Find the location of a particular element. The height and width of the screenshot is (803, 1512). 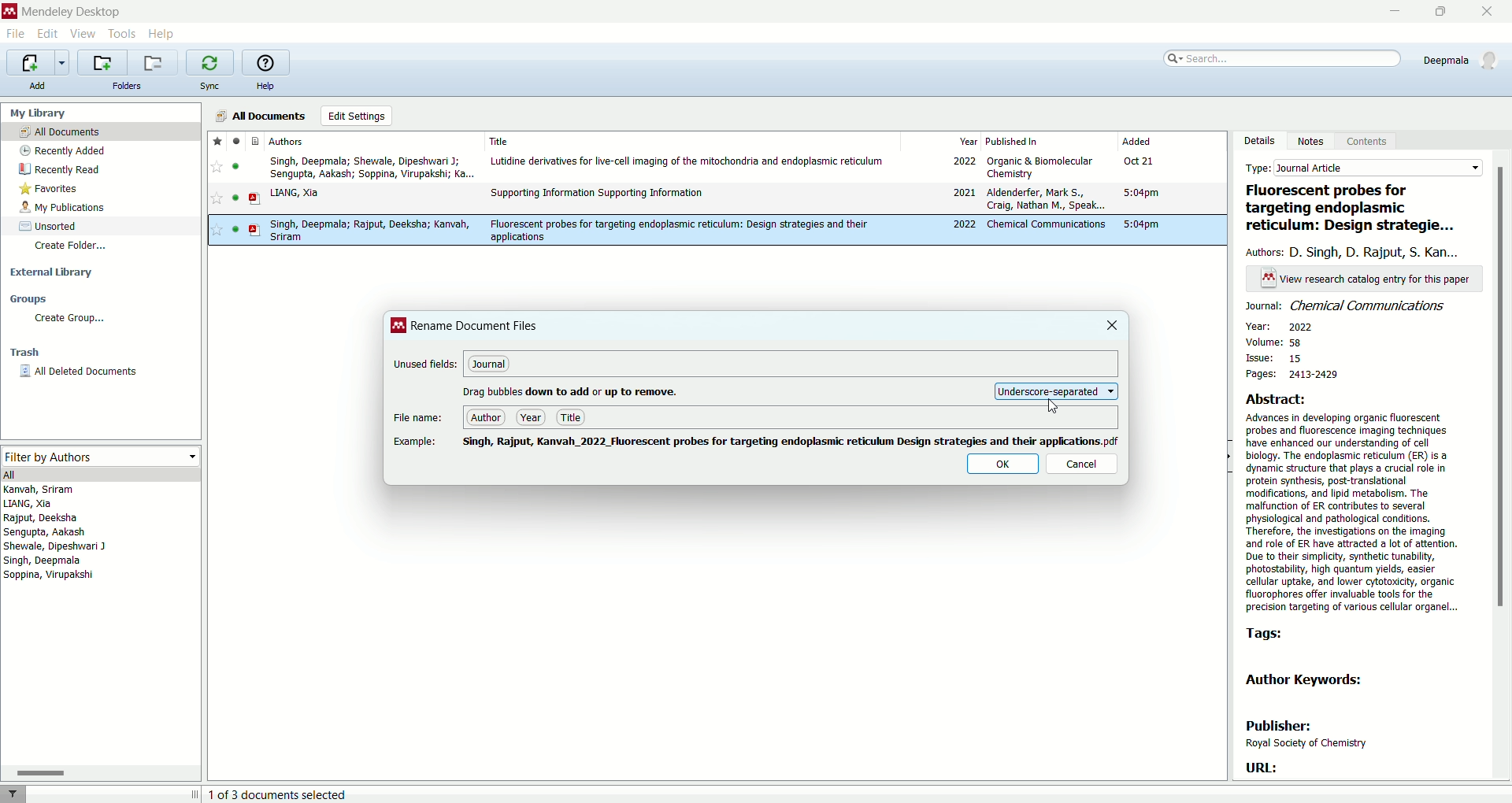

authors is located at coordinates (63, 536).